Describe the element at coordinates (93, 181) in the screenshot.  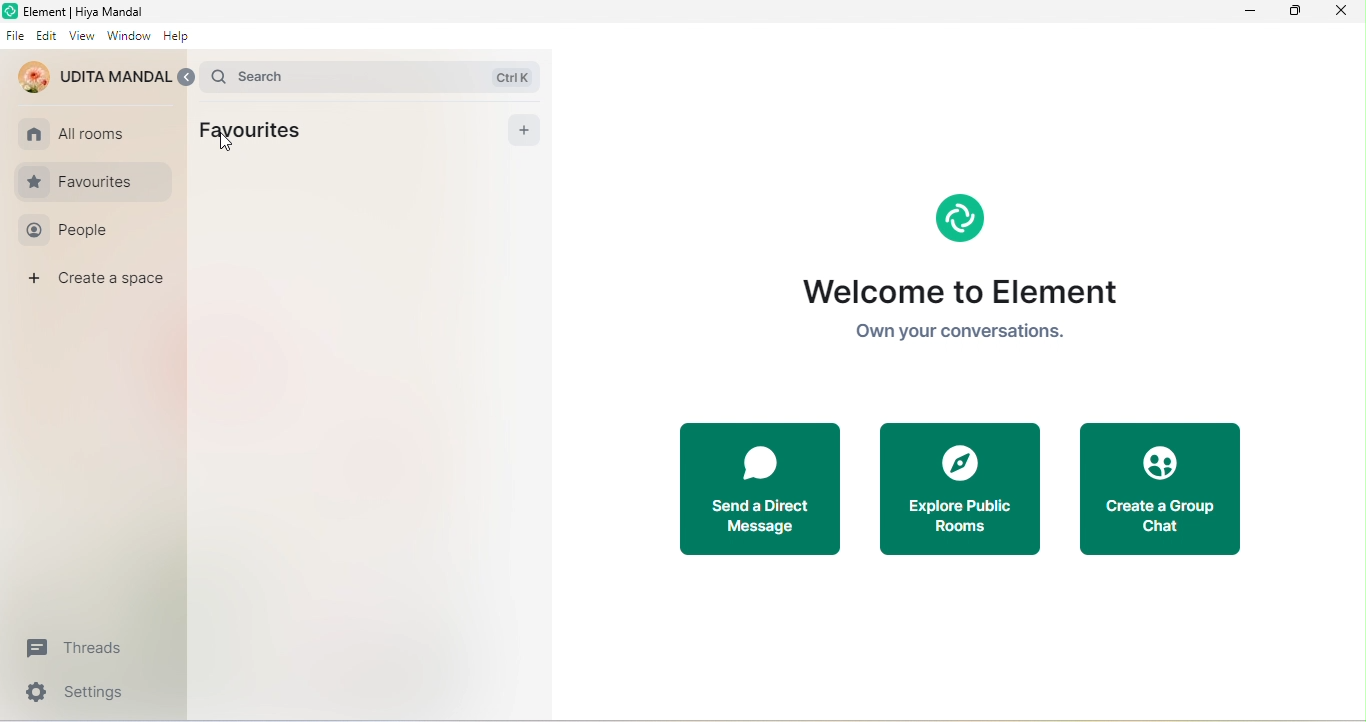
I see `favourites` at that location.